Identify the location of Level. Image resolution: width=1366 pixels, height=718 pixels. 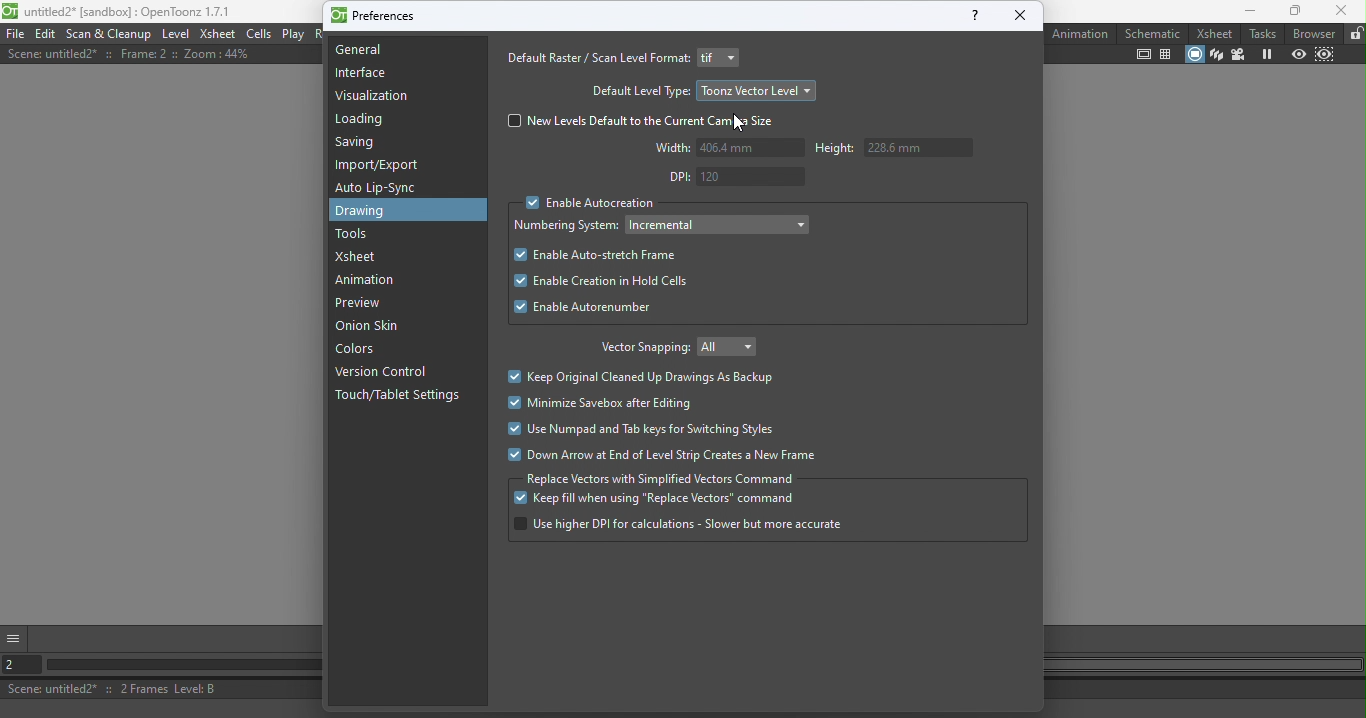
(175, 33).